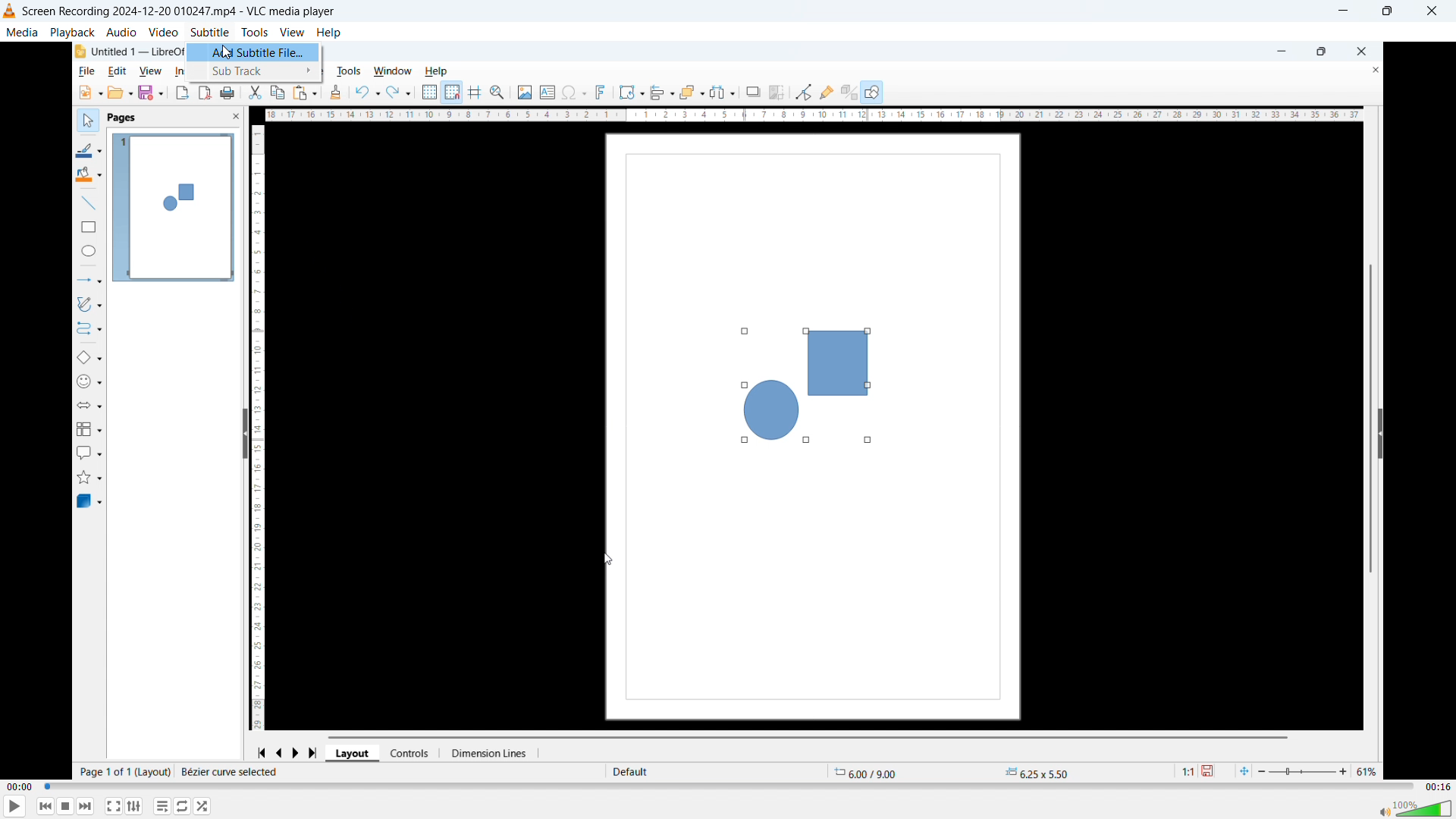 The height and width of the screenshot is (819, 1456). I want to click on dimension lines, so click(492, 753).